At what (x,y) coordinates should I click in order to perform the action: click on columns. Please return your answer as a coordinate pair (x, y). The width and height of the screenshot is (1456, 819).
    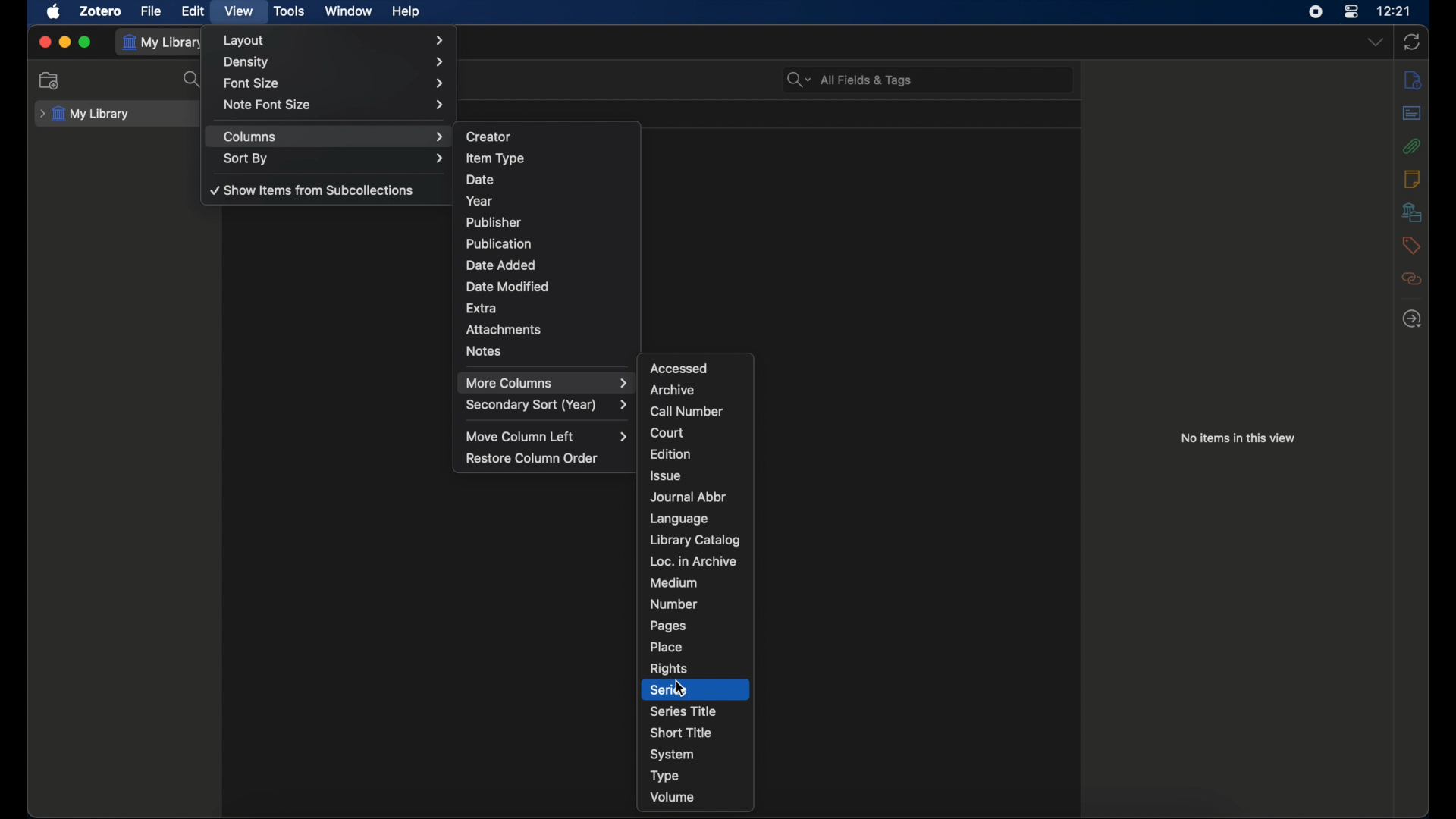
    Looking at the image, I should click on (335, 137).